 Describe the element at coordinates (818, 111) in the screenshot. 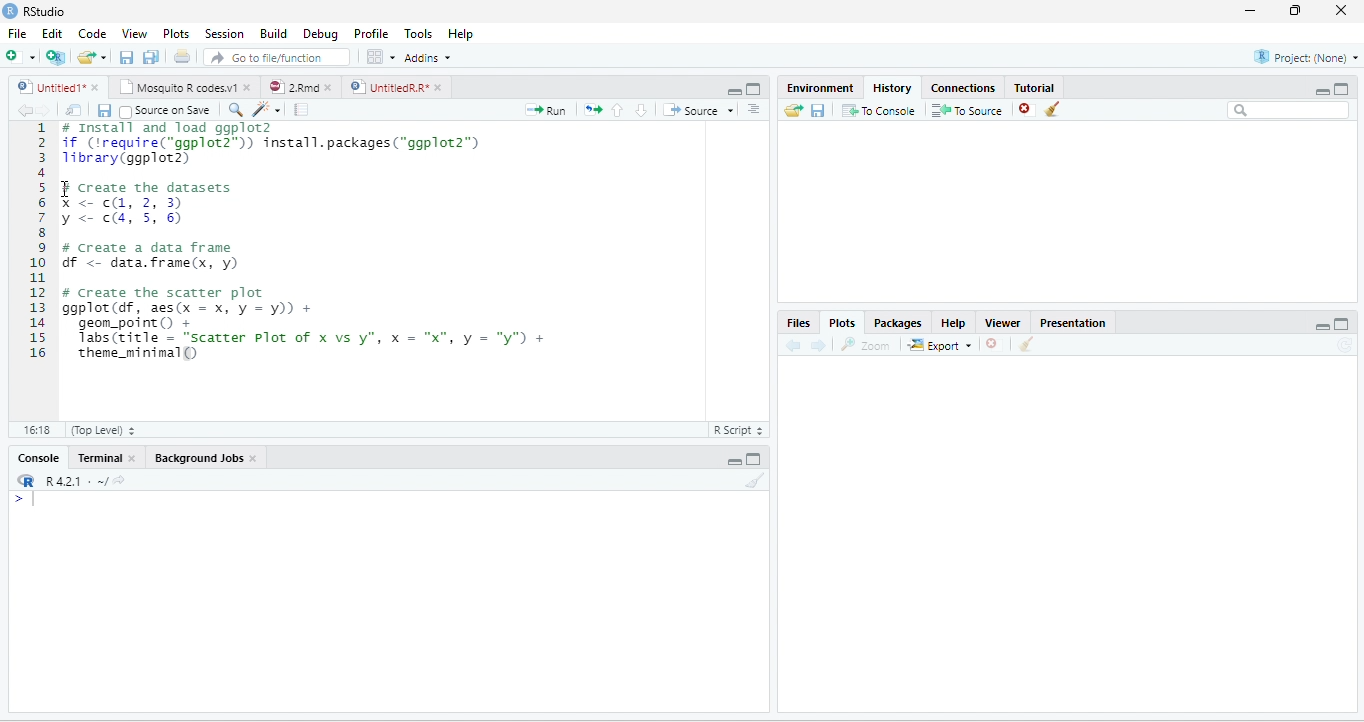

I see `Save history into a file` at that location.